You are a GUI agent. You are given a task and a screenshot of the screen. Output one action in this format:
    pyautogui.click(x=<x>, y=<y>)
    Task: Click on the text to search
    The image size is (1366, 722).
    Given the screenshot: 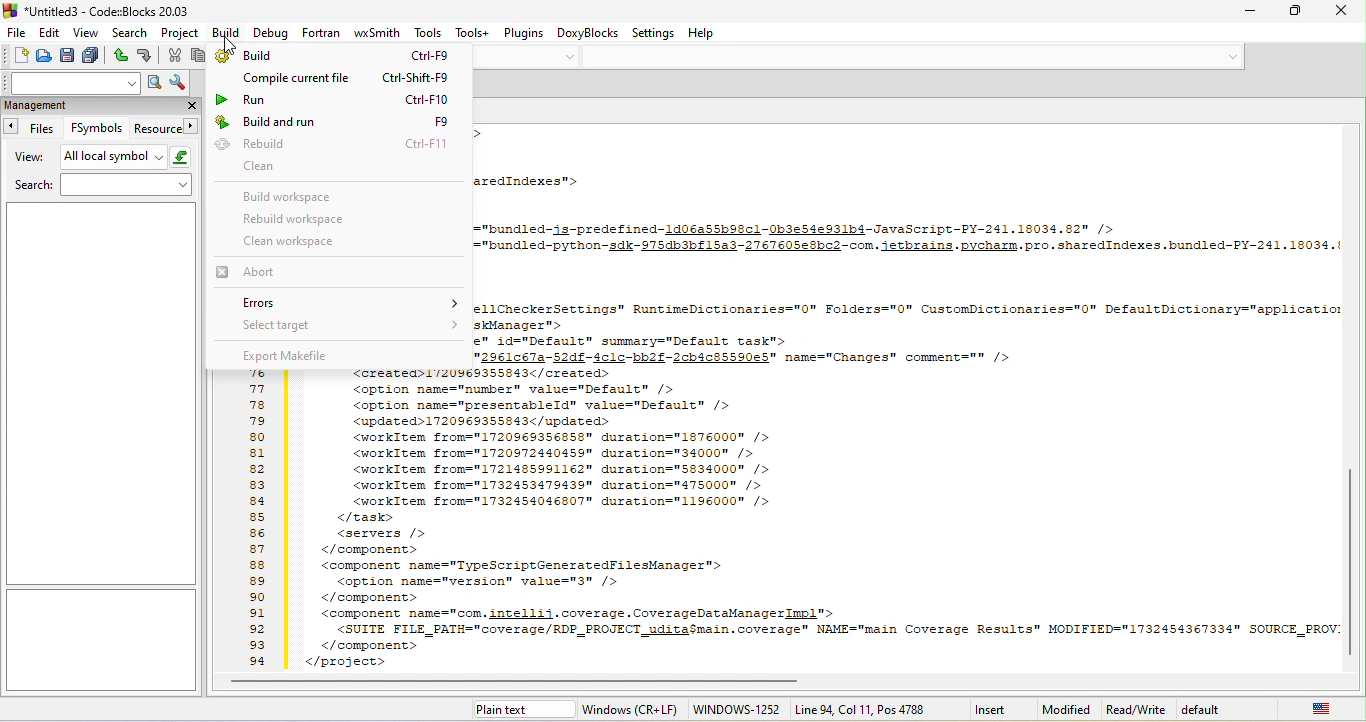 What is the action you would take?
    pyautogui.click(x=70, y=82)
    